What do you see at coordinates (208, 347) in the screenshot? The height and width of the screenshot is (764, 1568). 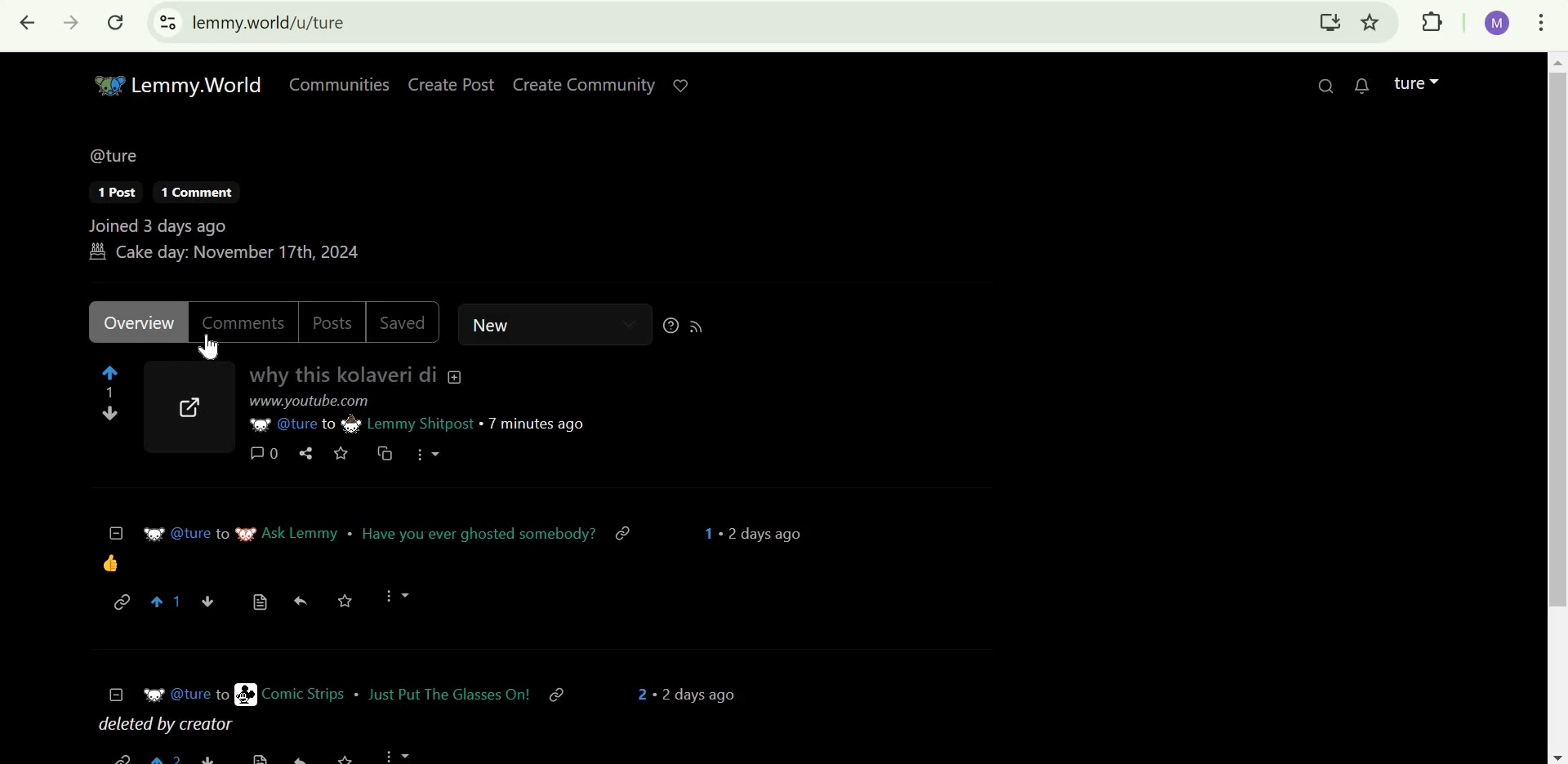 I see `cursor` at bounding box center [208, 347].